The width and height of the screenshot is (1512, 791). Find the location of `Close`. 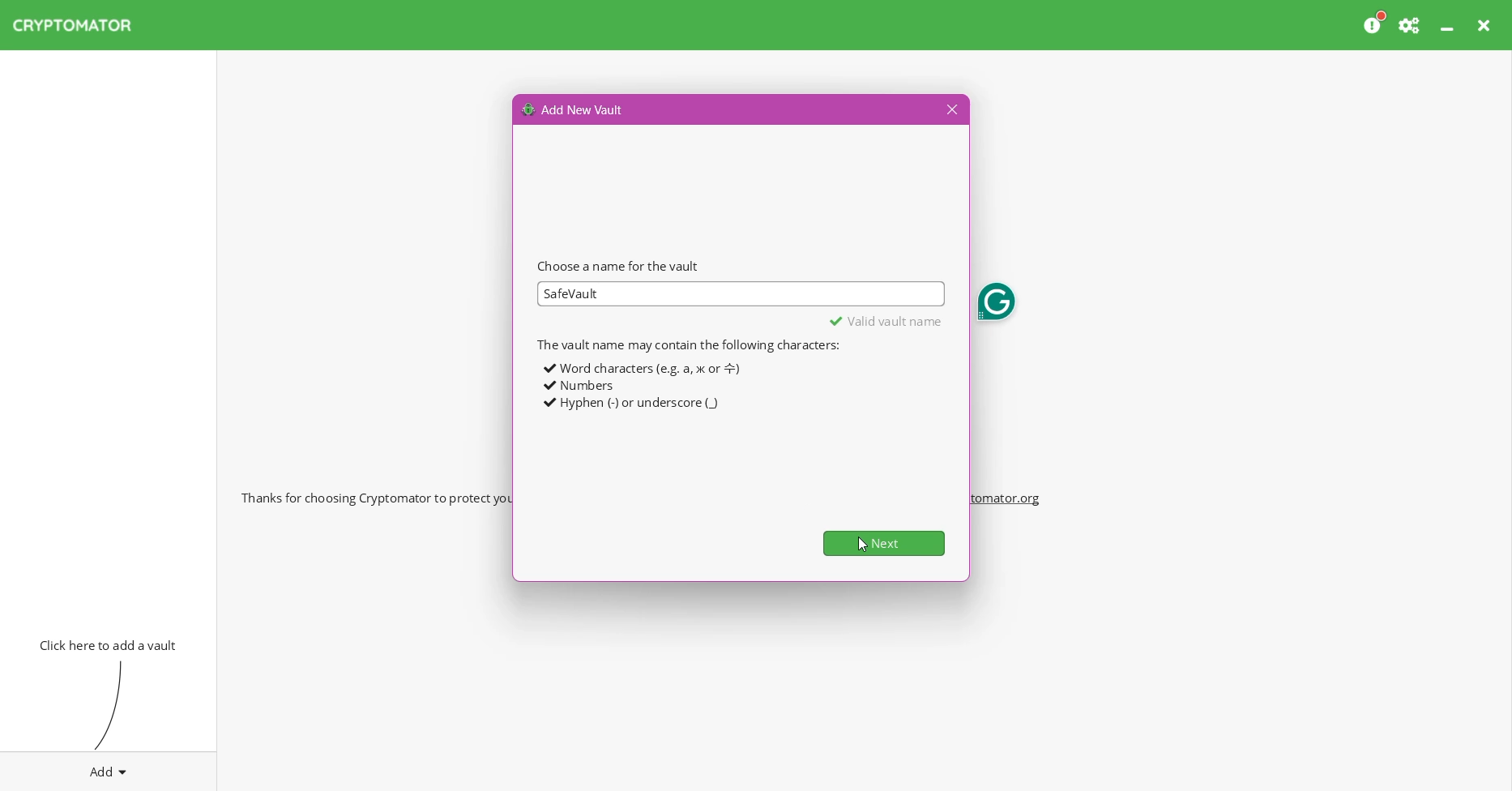

Close is located at coordinates (1486, 25).